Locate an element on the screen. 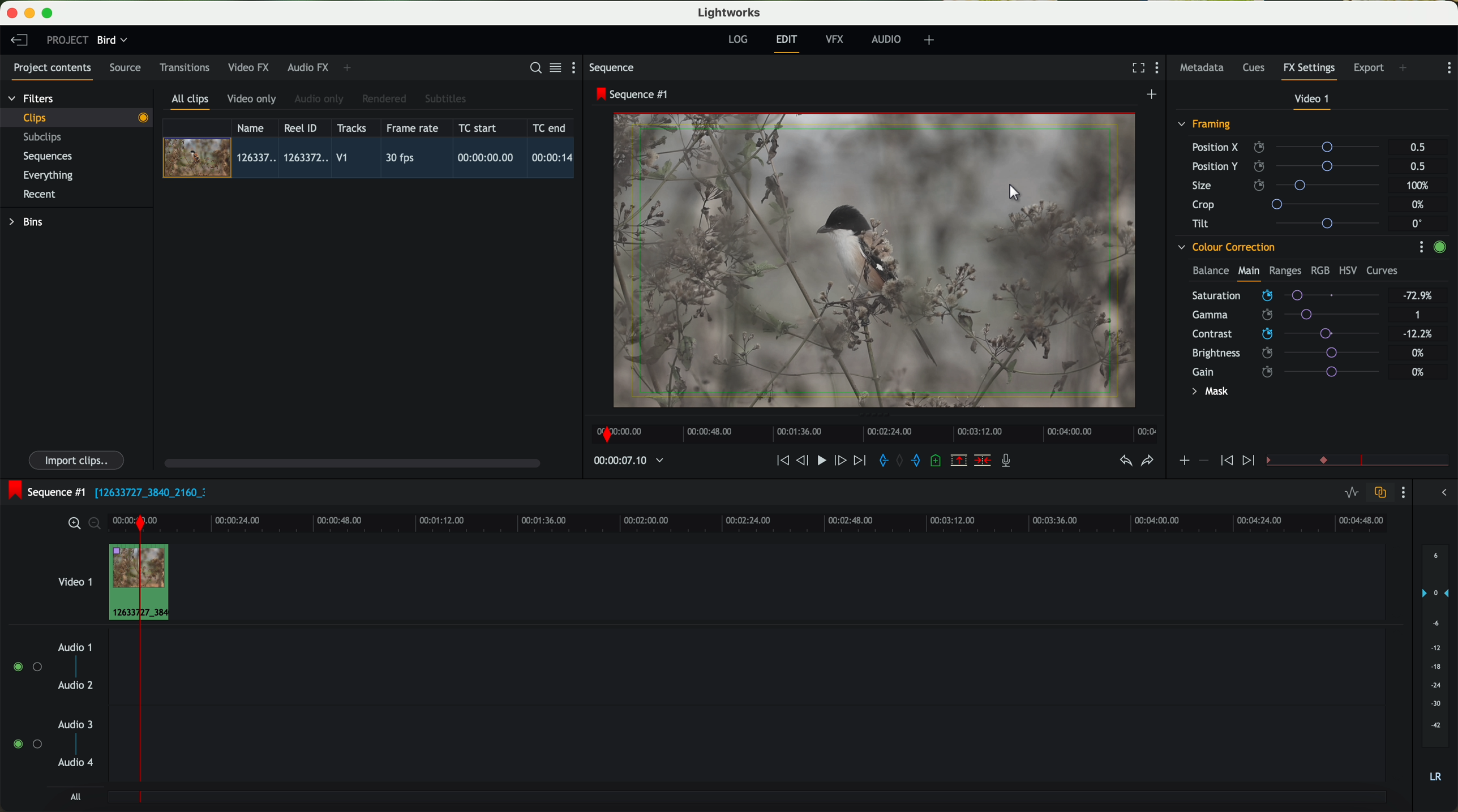 Image resolution: width=1458 pixels, height=812 pixels. HSV is located at coordinates (1347, 270).